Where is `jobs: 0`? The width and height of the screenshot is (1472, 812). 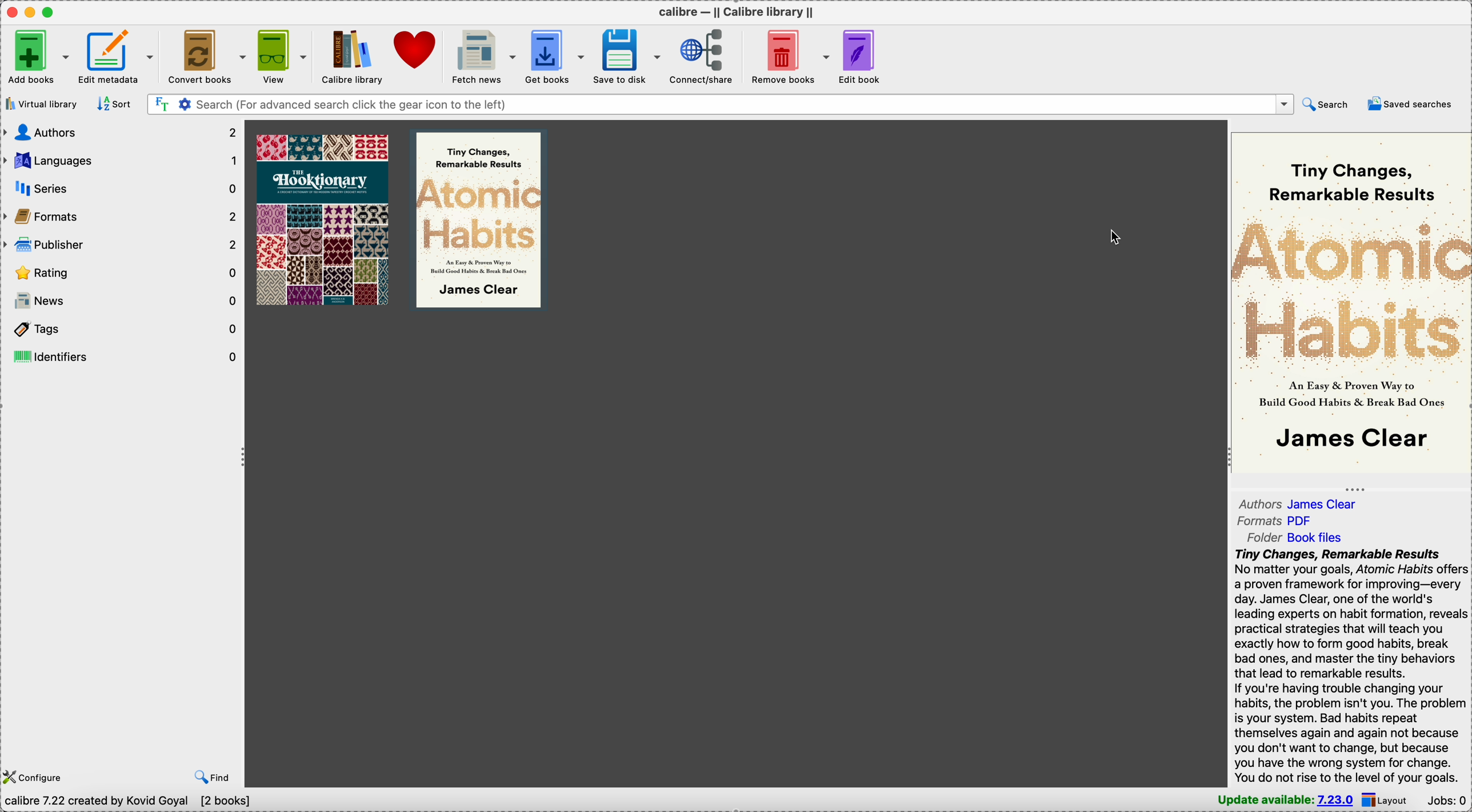
jobs: 0 is located at coordinates (1449, 800).